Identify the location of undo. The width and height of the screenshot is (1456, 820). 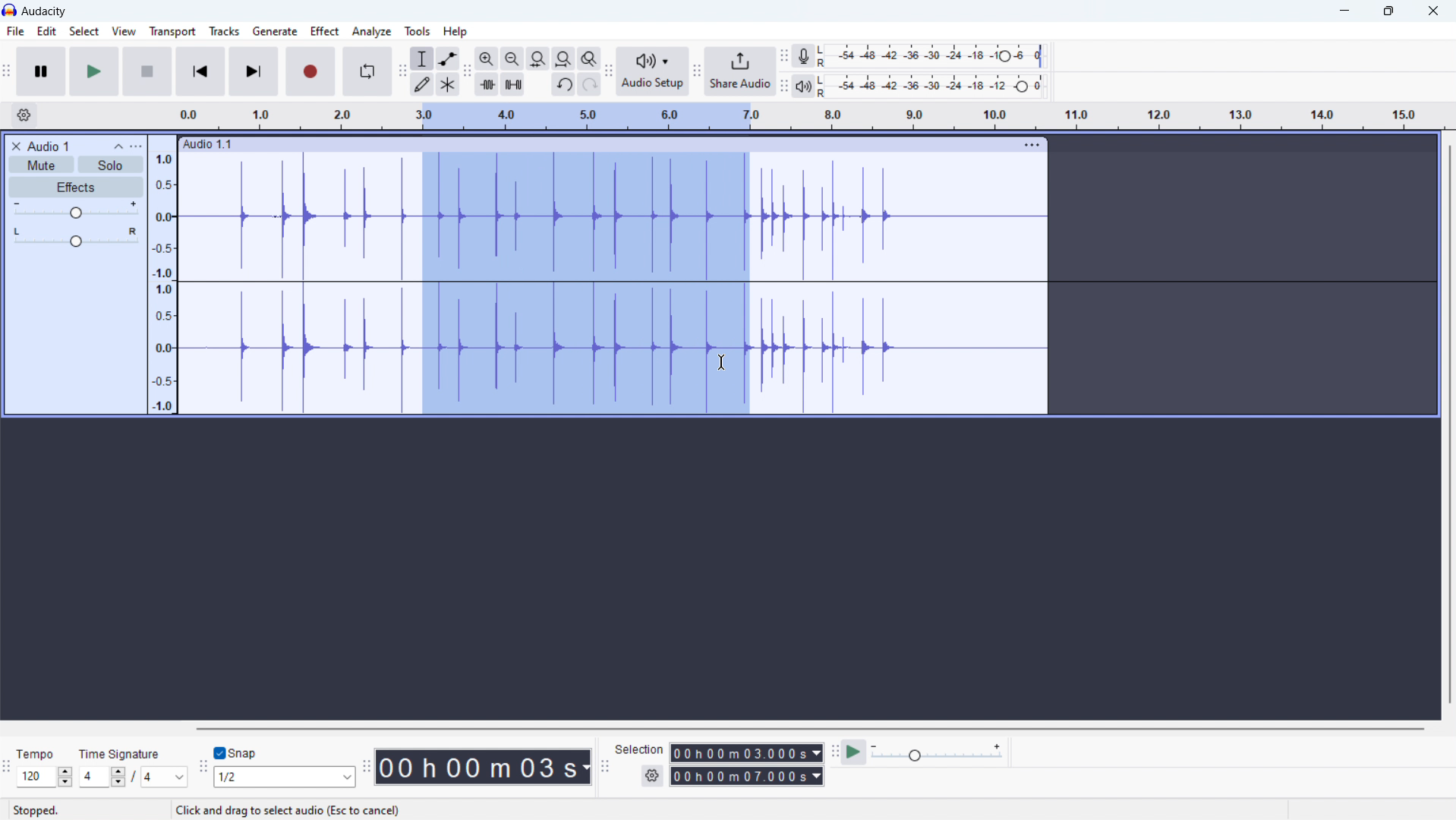
(563, 84).